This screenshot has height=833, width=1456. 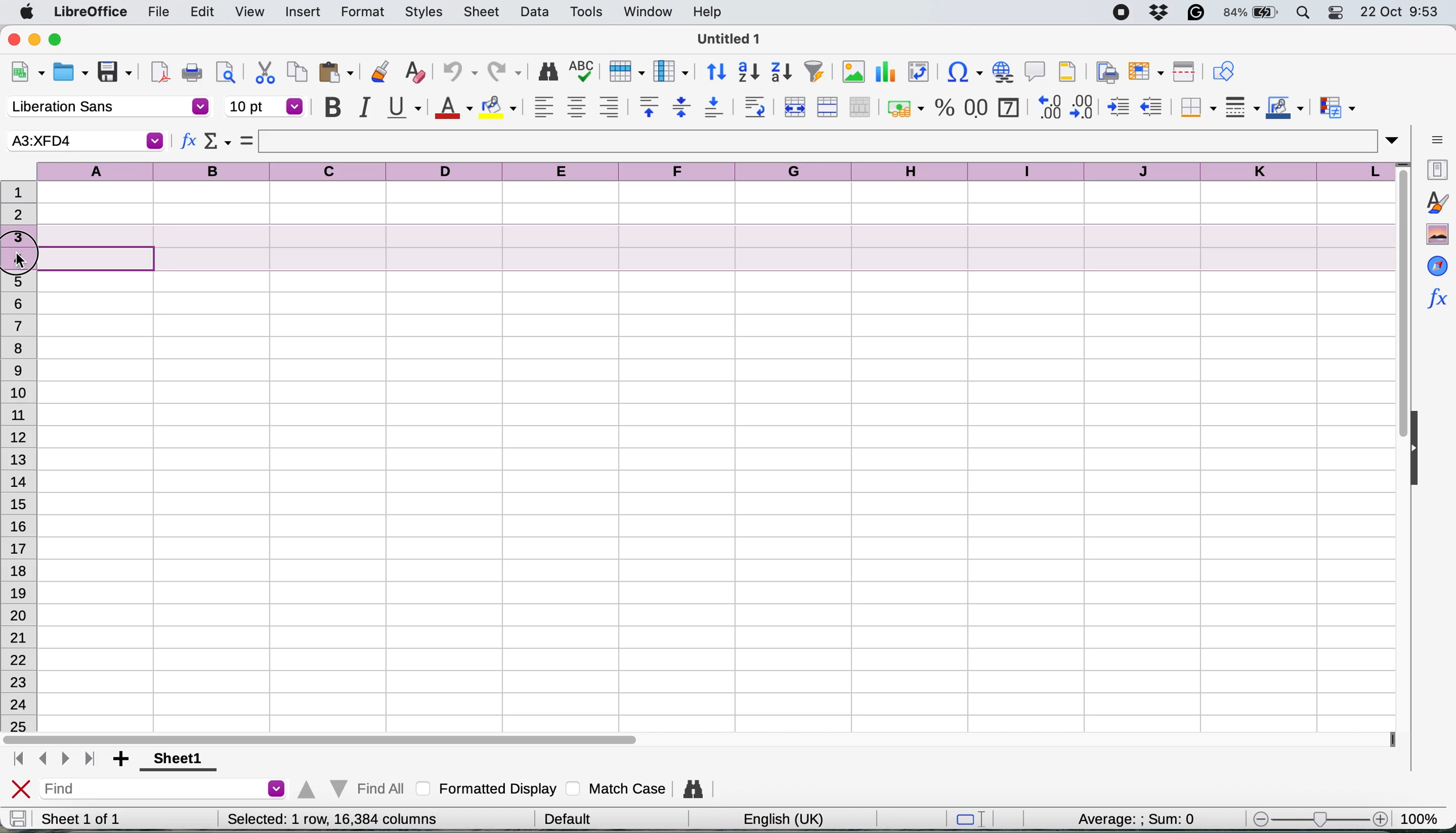 What do you see at coordinates (1143, 72) in the screenshot?
I see `freeze rows and columns` at bounding box center [1143, 72].